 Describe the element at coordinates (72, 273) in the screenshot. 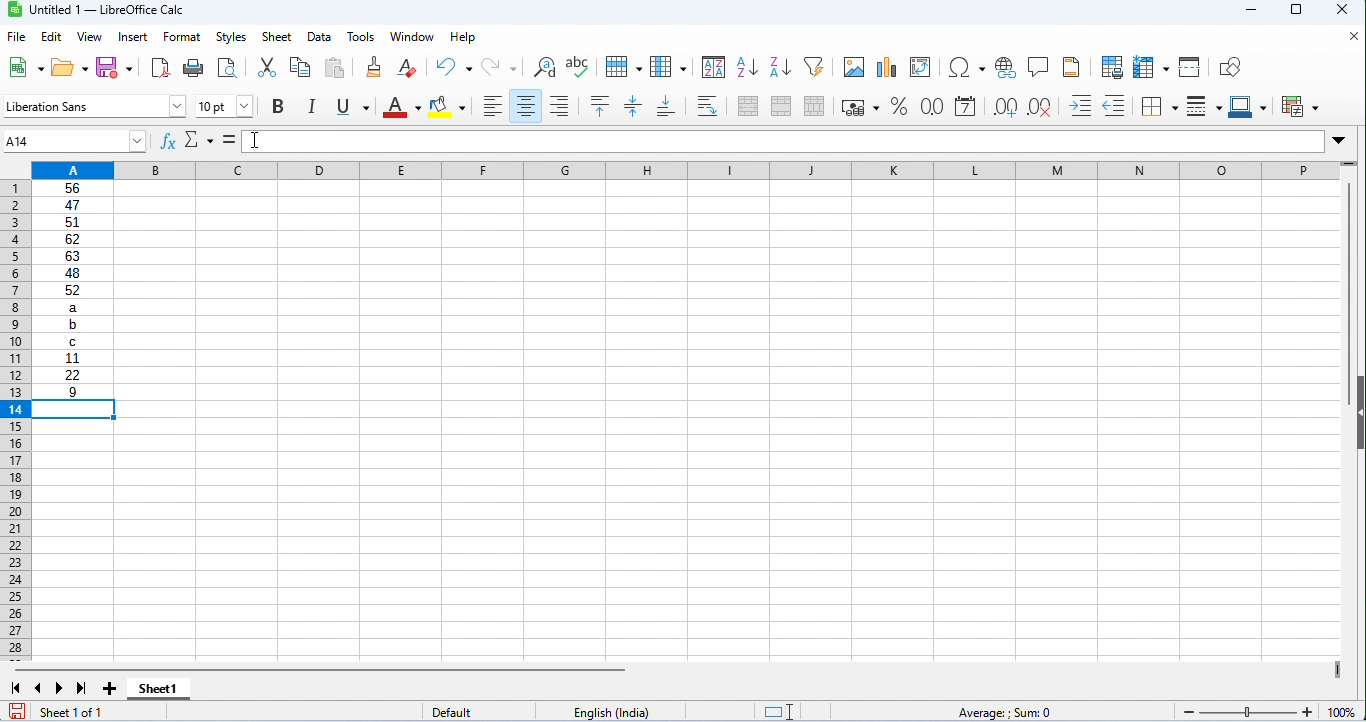

I see `48` at that location.